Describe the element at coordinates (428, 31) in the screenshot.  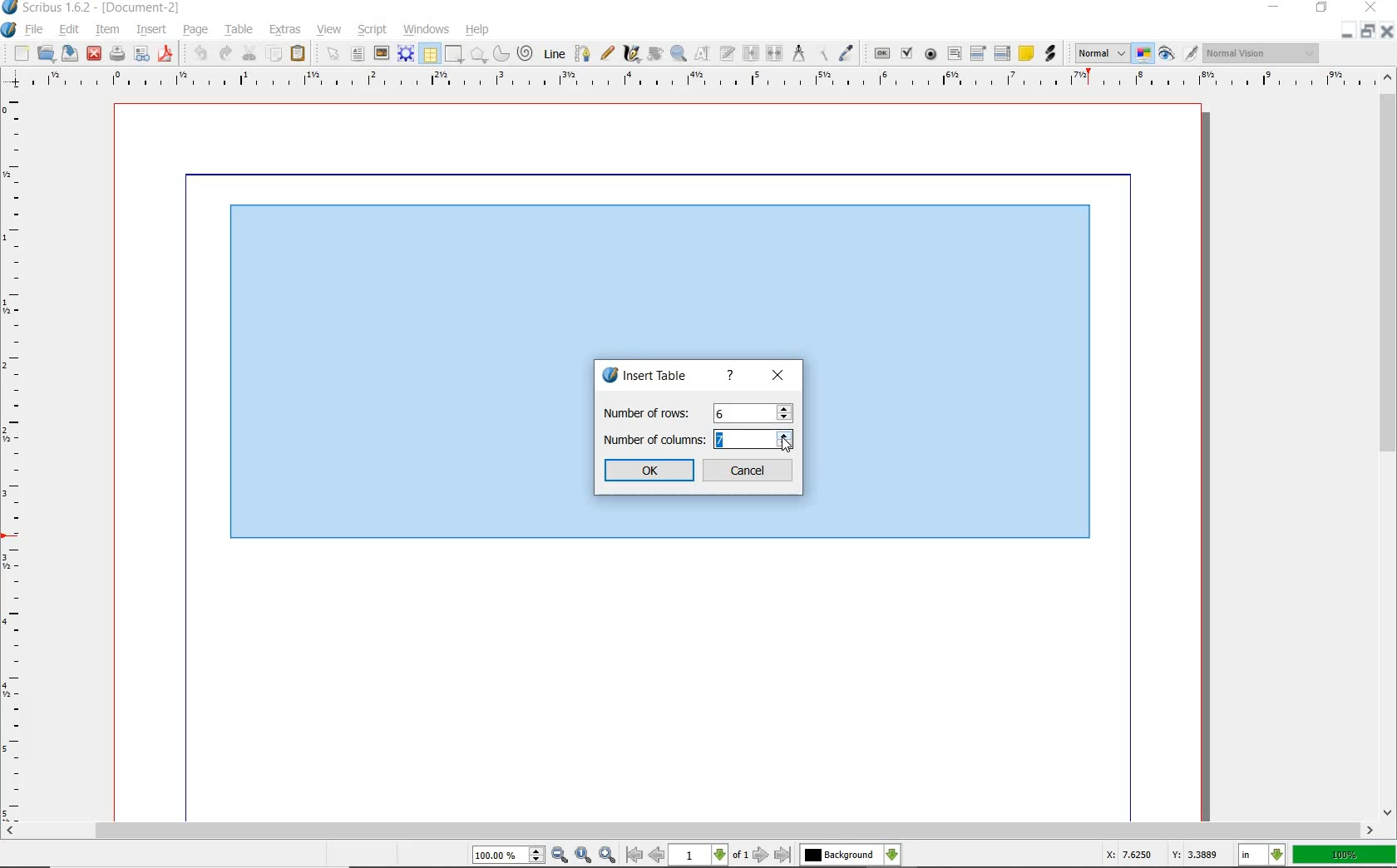
I see `windows` at that location.